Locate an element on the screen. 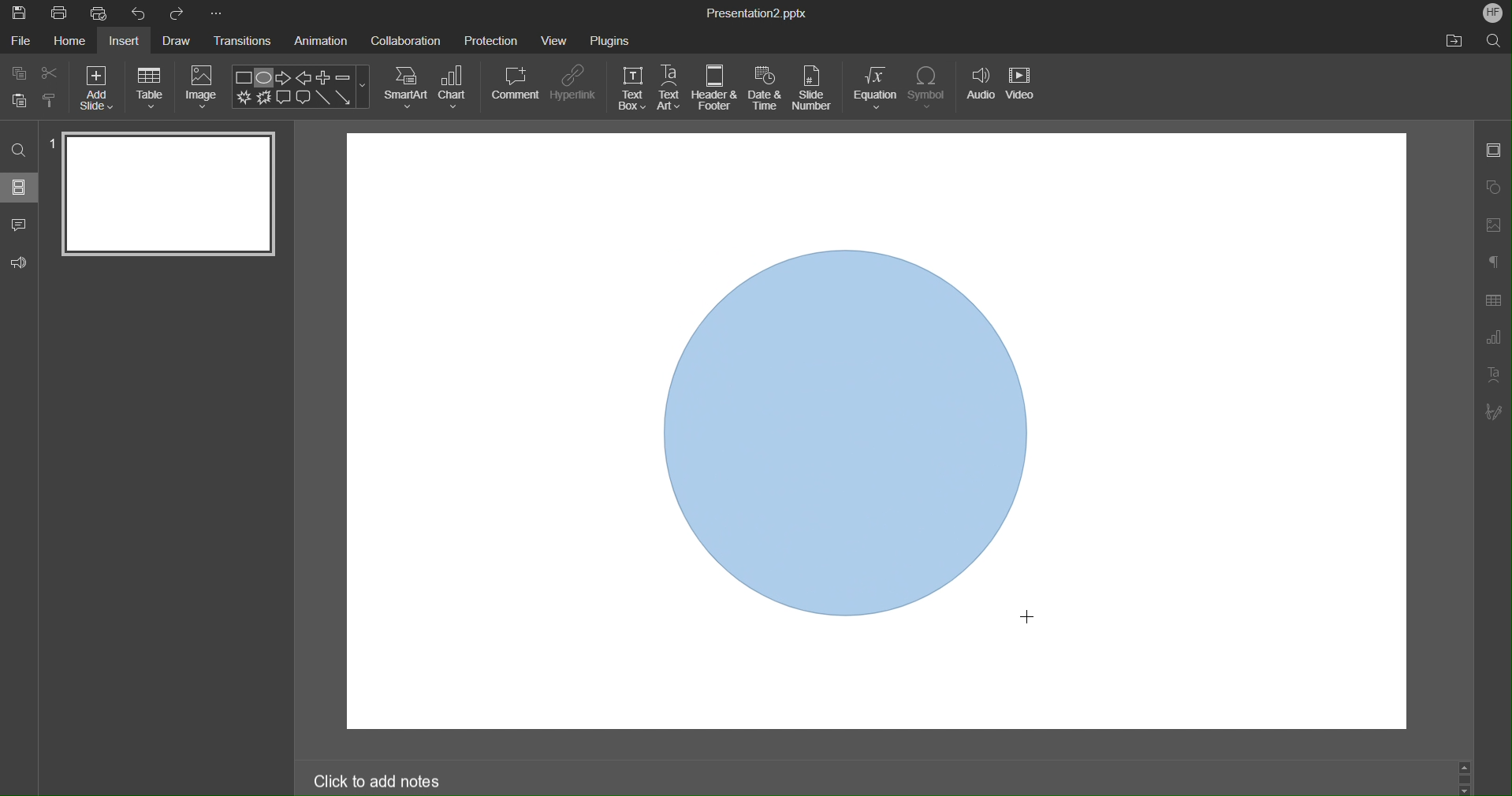 Image resolution: width=1512 pixels, height=796 pixels. Feedback & Support is located at coordinates (20, 261).